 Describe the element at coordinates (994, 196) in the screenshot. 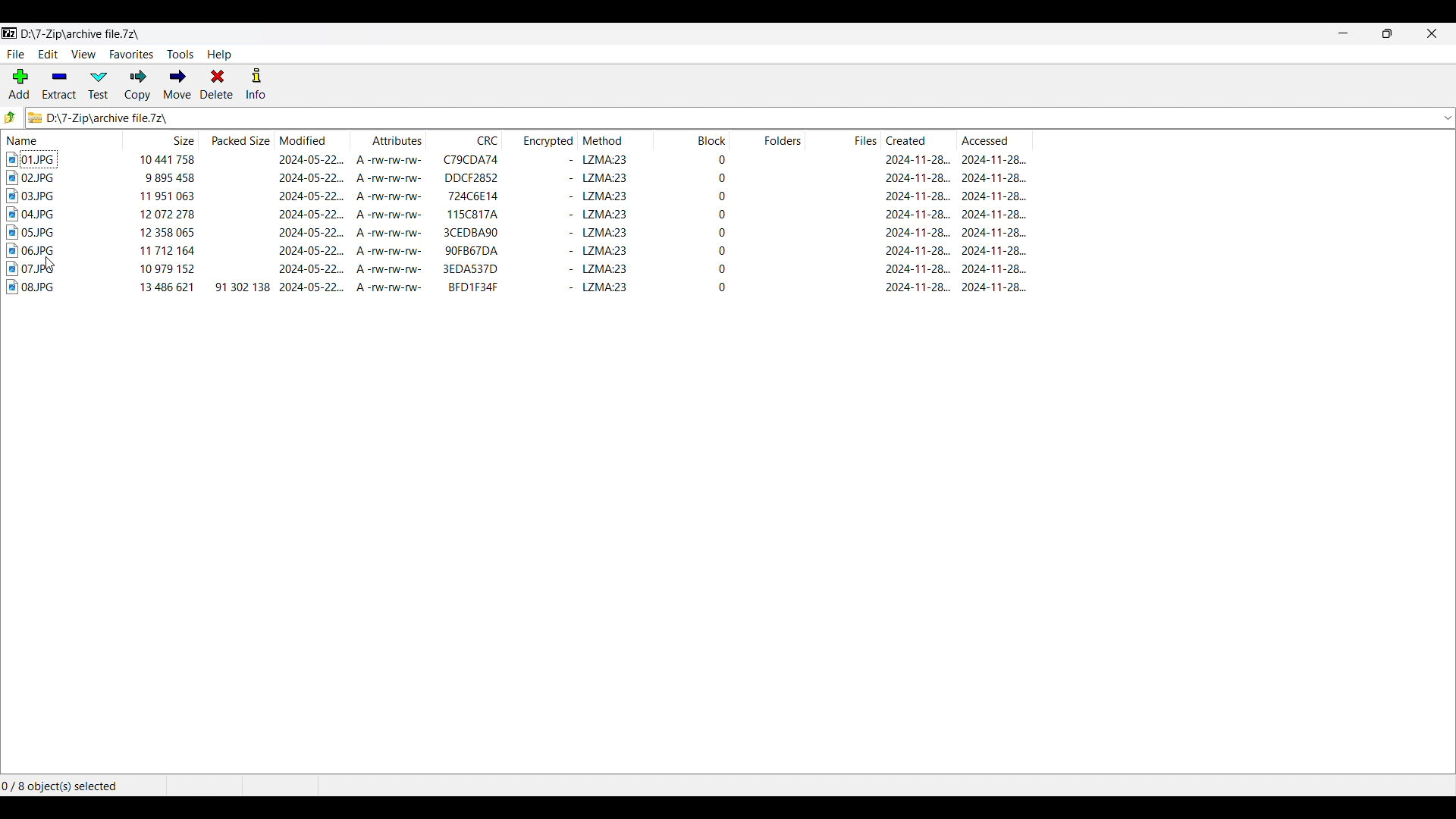

I see `accessed date & time` at that location.